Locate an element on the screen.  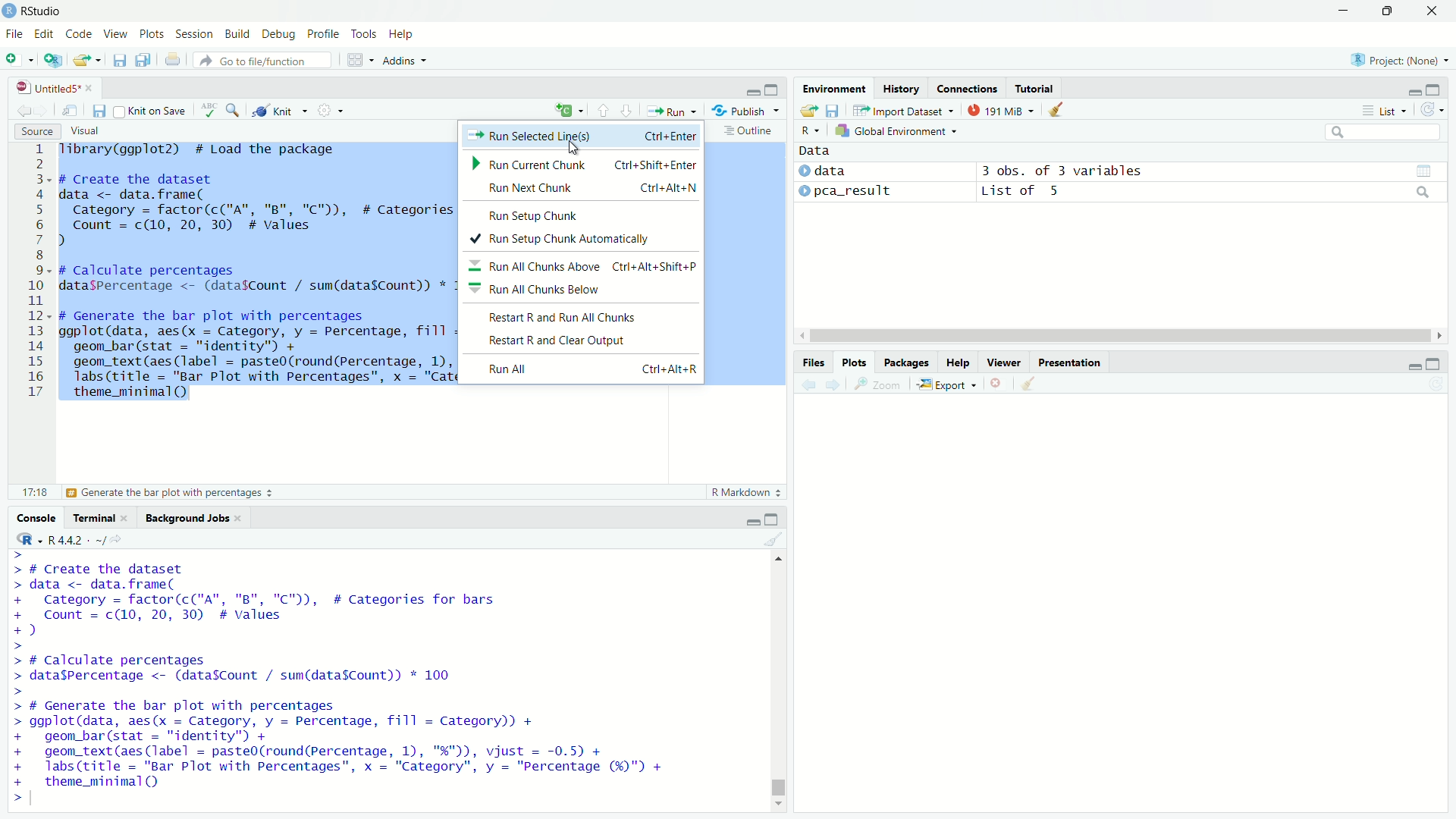
go forward is located at coordinates (833, 385).